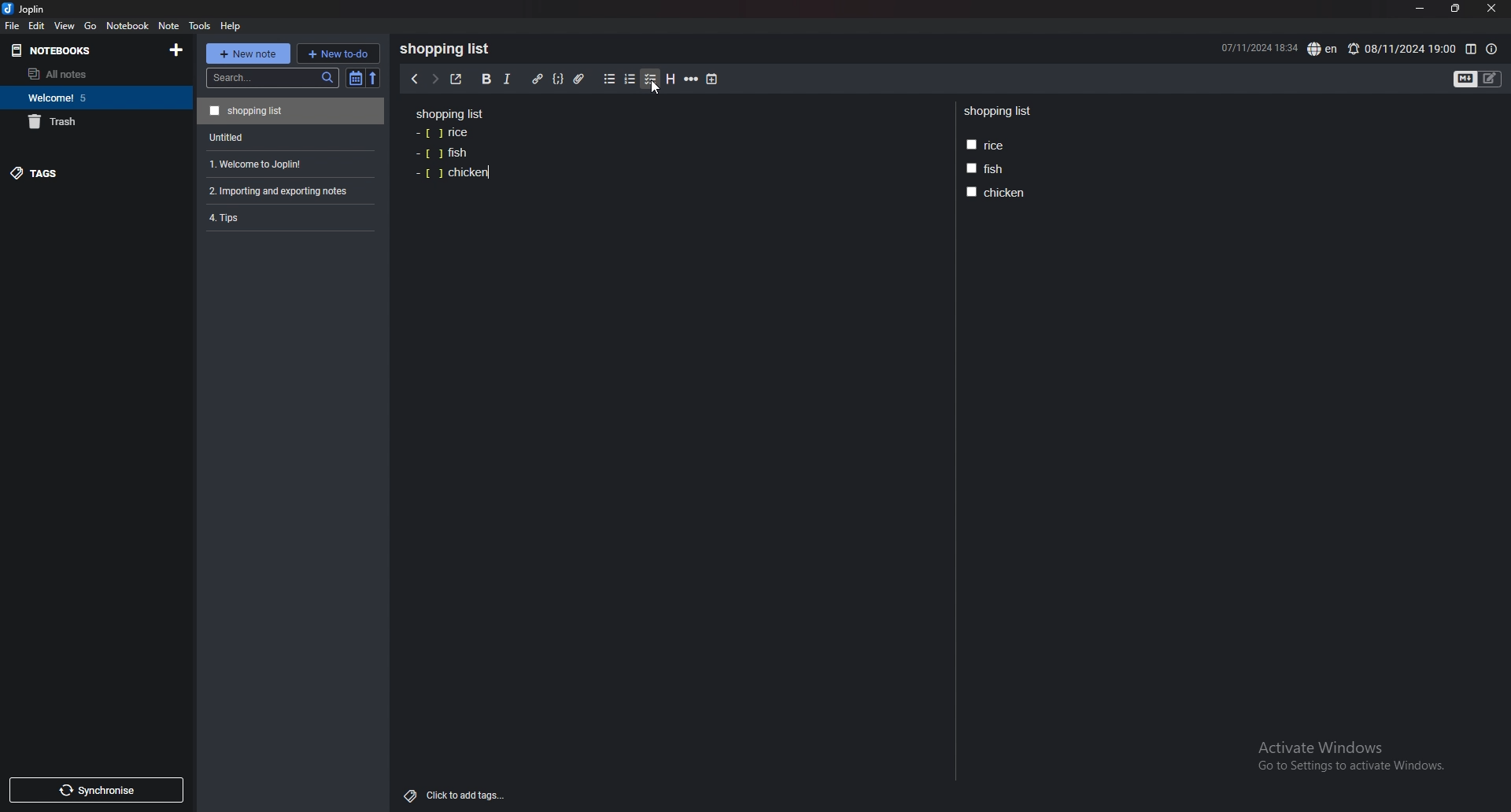  Describe the element at coordinates (609, 79) in the screenshot. I see `bullet list` at that location.